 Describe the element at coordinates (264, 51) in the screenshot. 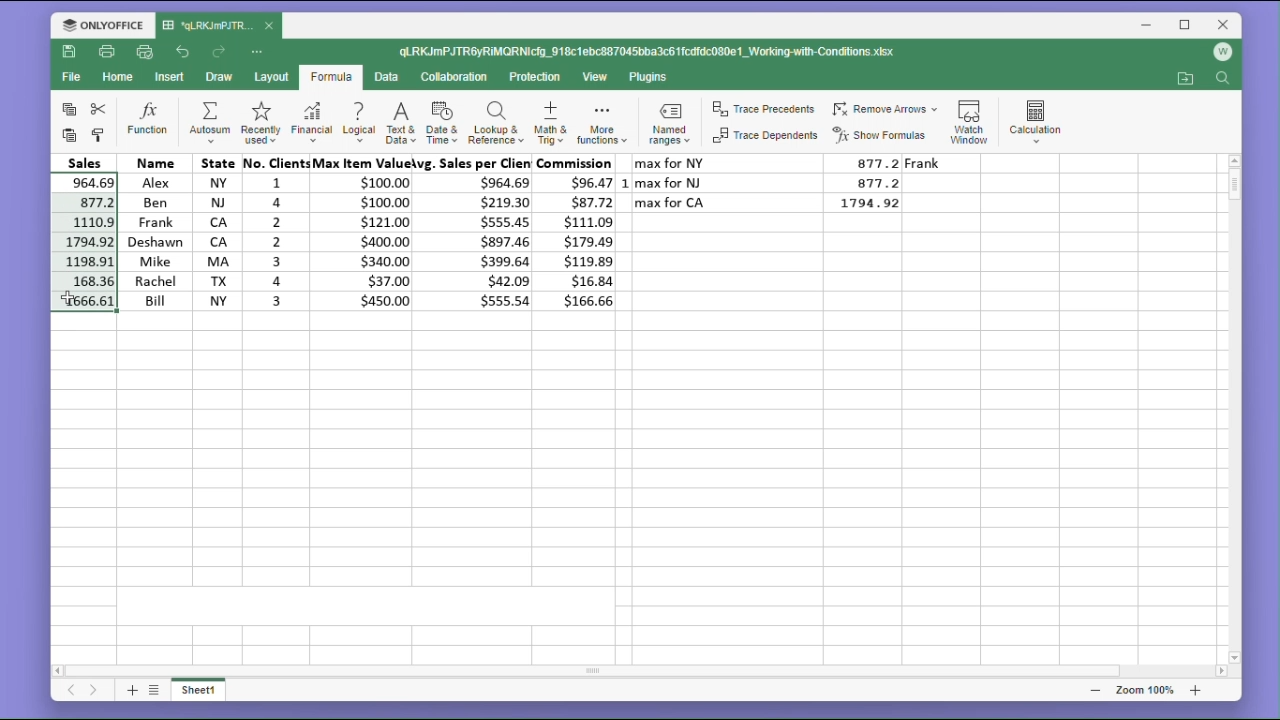

I see `customize quick access toolbar` at that location.